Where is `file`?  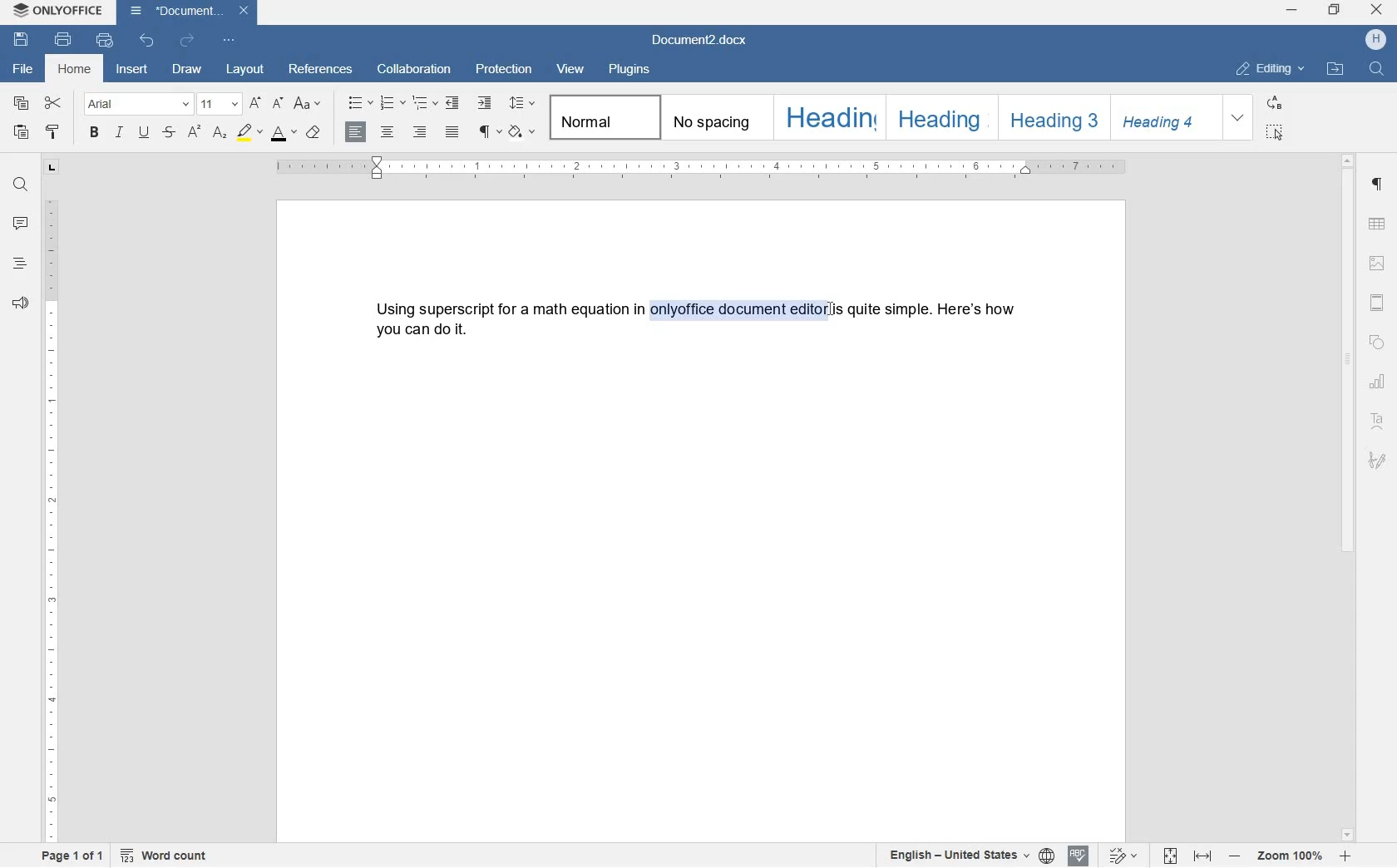
file is located at coordinates (21, 70).